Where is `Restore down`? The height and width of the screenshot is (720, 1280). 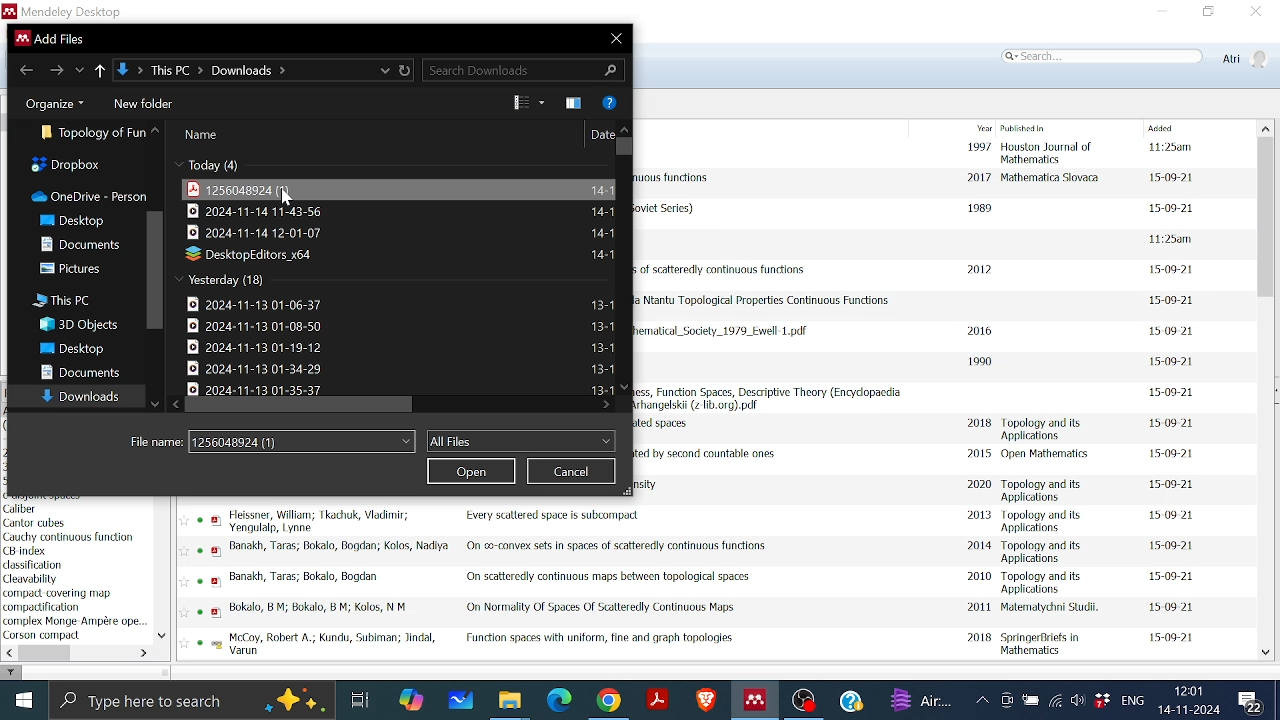
Restore down is located at coordinates (1209, 12).